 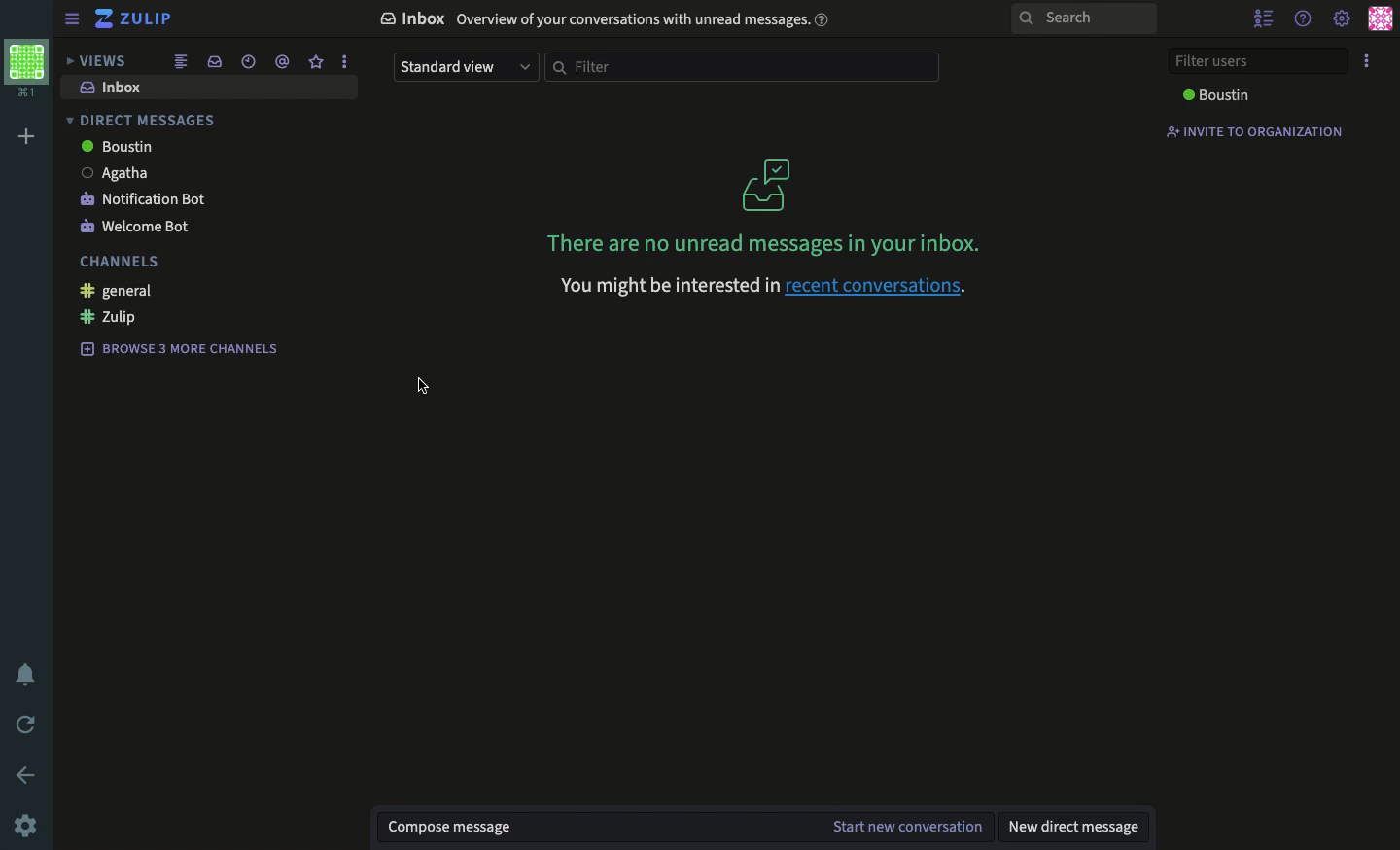 I want to click on options, so click(x=344, y=60).